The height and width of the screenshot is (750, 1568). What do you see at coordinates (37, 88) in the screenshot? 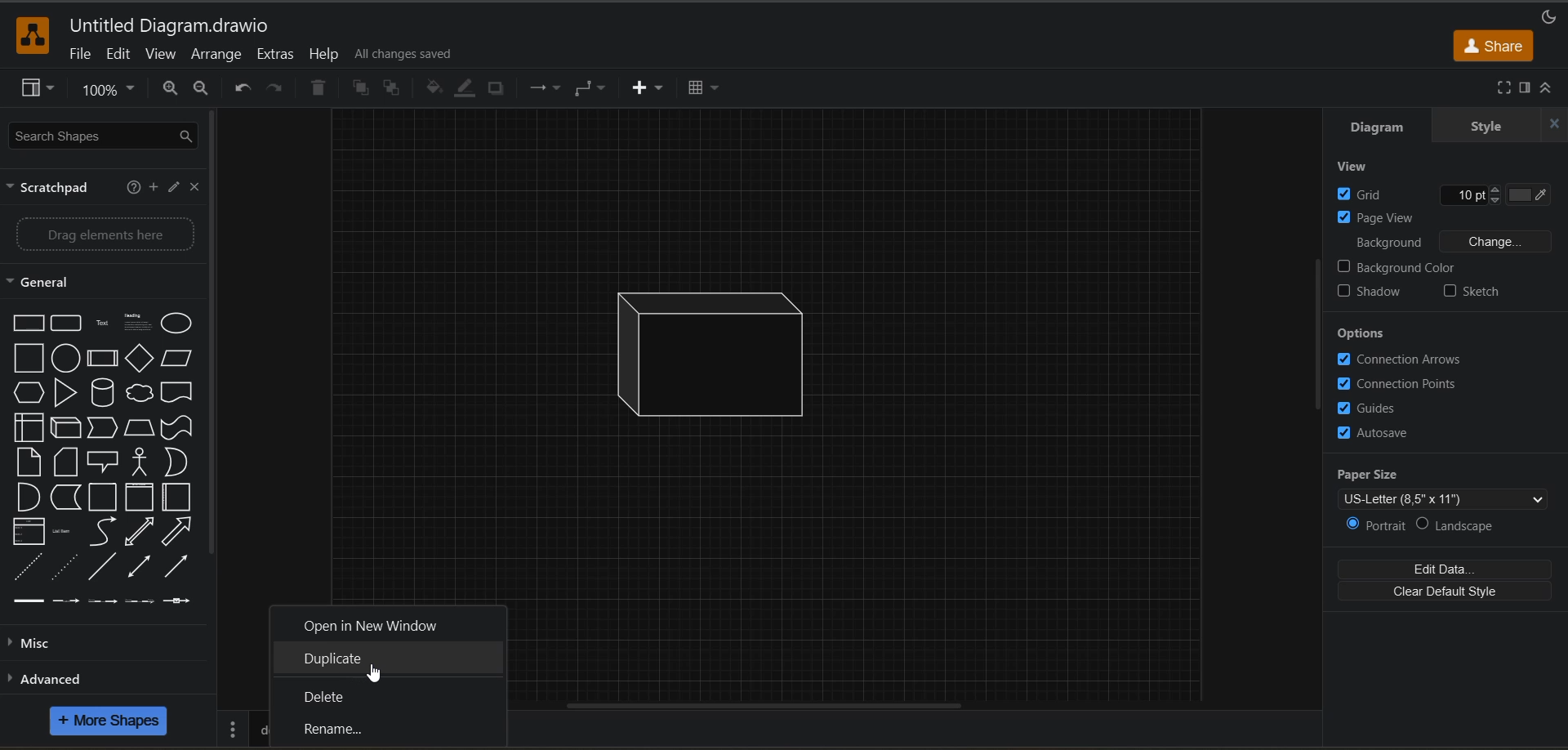
I see `view` at bounding box center [37, 88].